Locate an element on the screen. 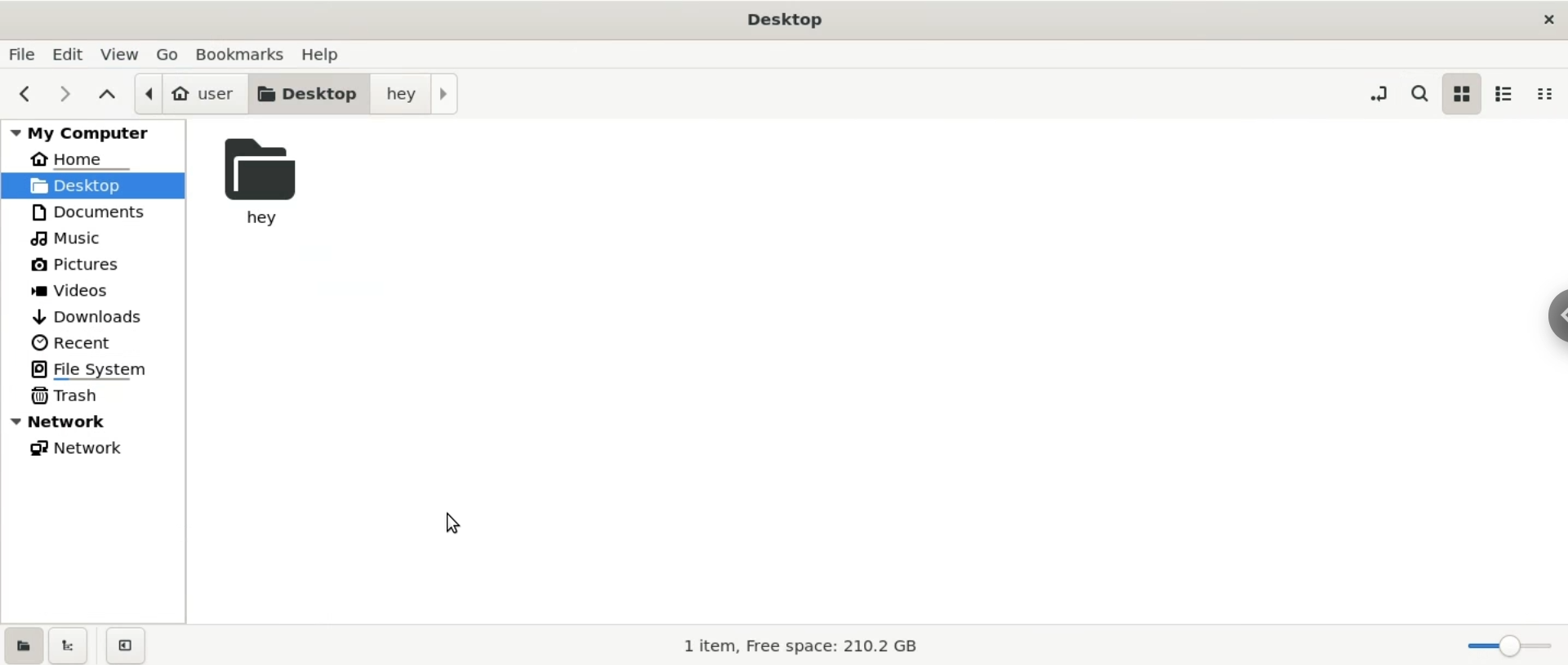 This screenshot has height=665, width=1568. close is located at coordinates (1545, 19).